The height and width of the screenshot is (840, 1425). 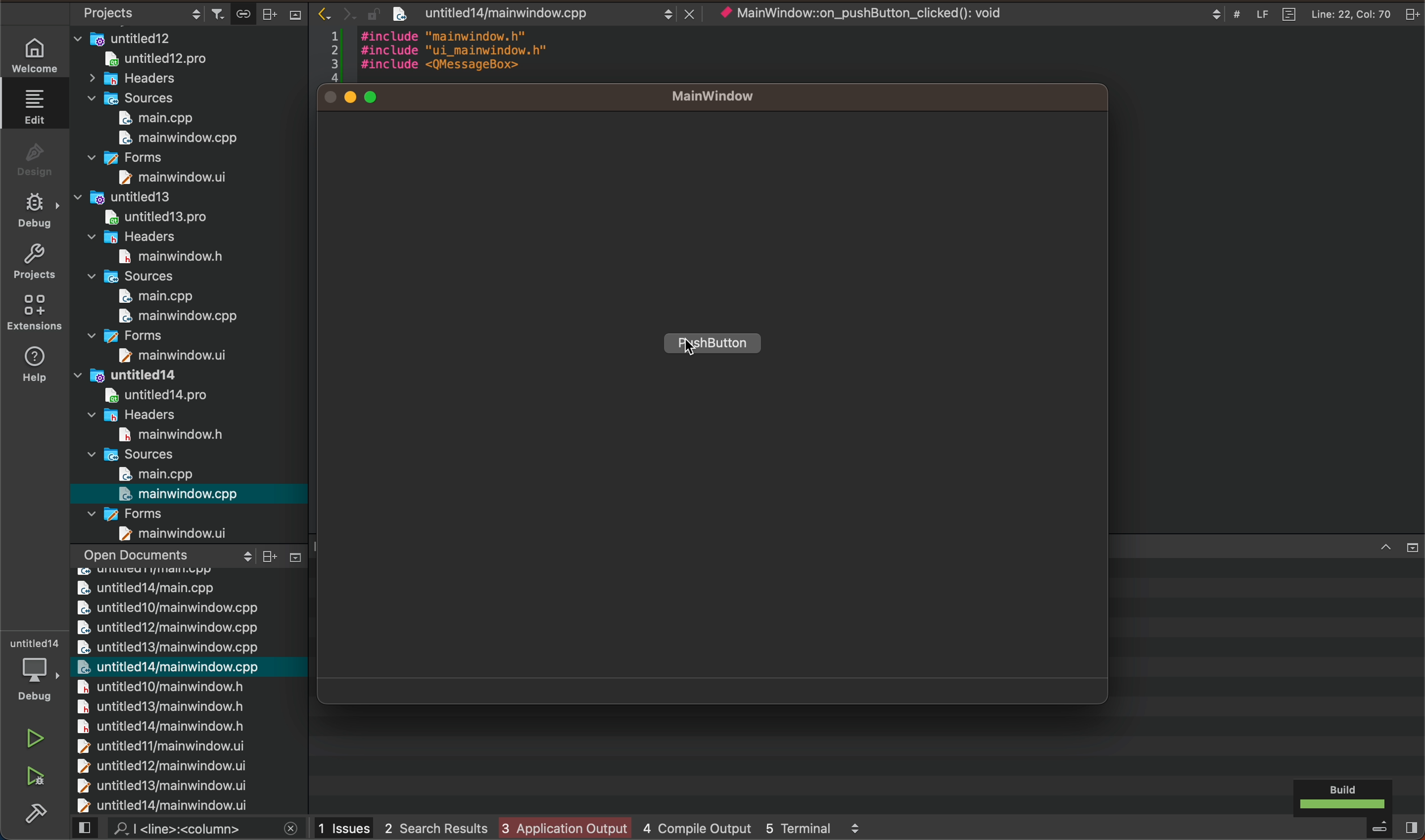 What do you see at coordinates (534, 13) in the screenshot?
I see `file after save` at bounding box center [534, 13].